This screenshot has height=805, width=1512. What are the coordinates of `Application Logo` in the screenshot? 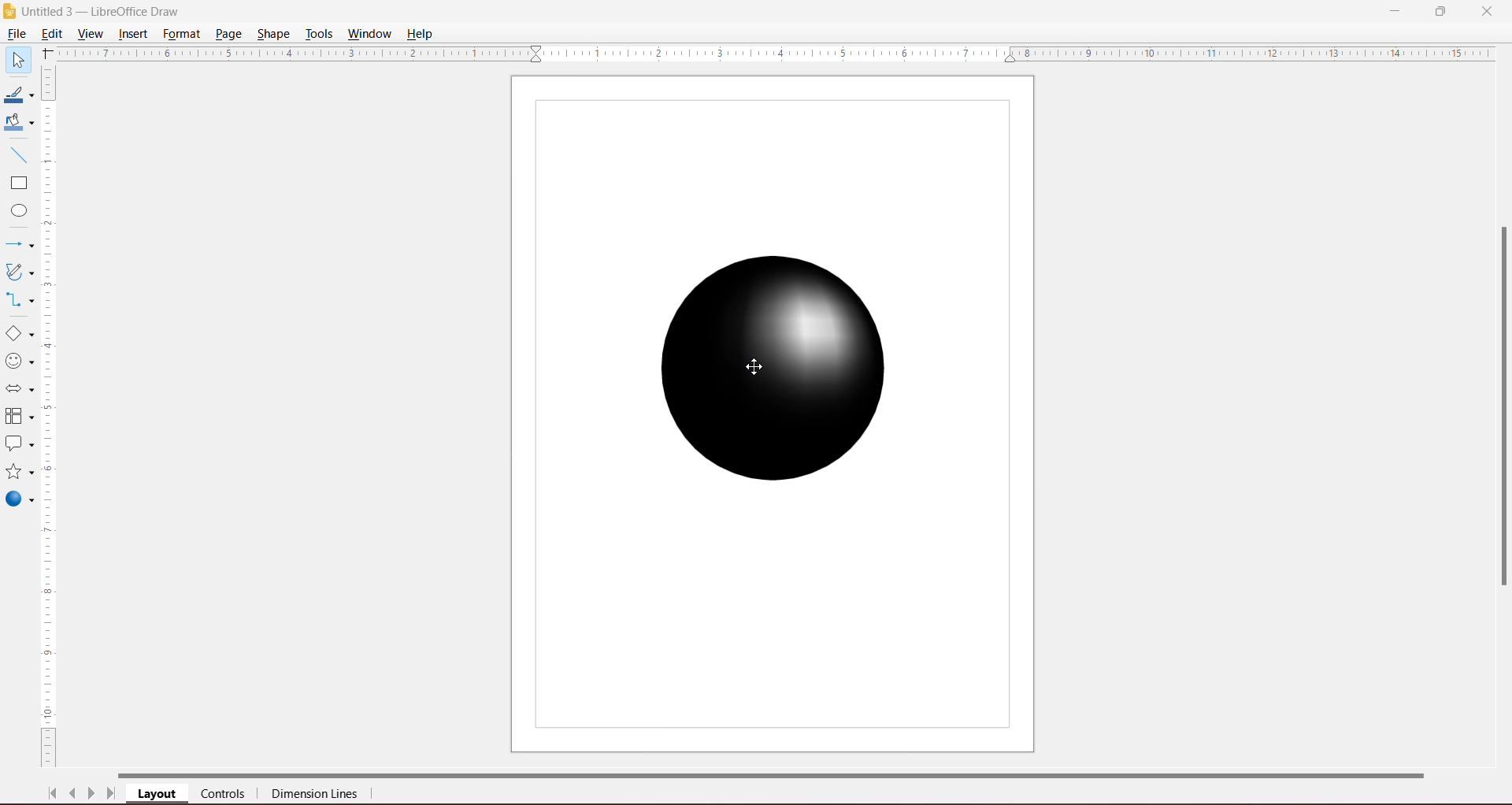 It's located at (10, 12).